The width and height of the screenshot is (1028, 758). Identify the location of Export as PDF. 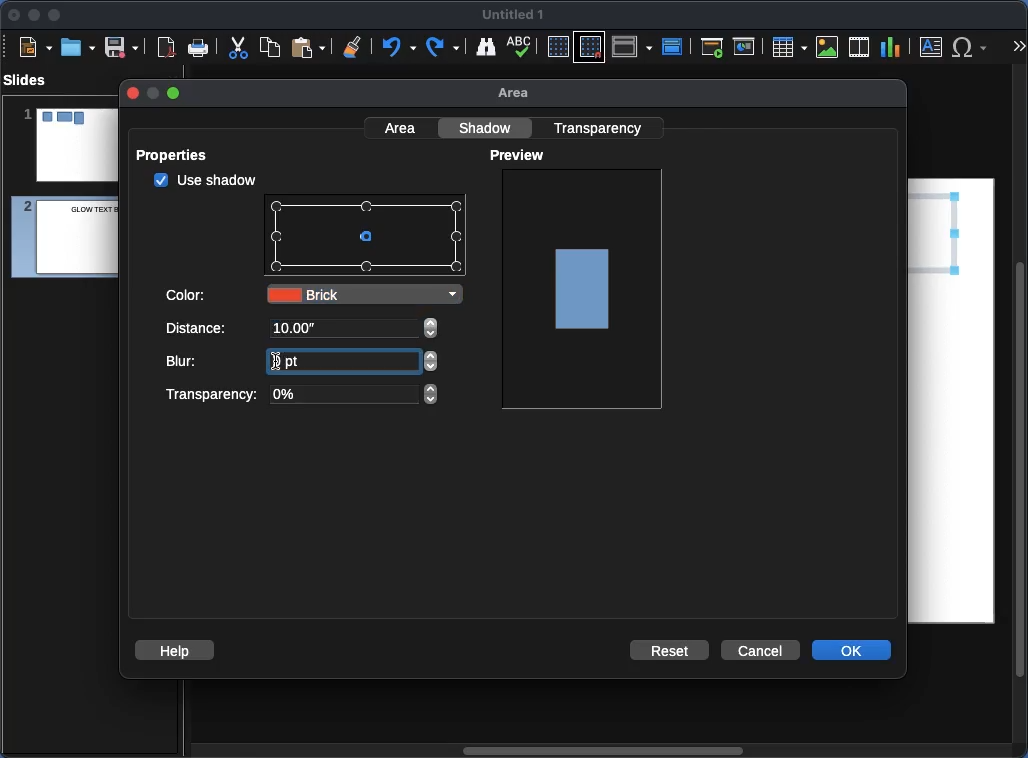
(166, 48).